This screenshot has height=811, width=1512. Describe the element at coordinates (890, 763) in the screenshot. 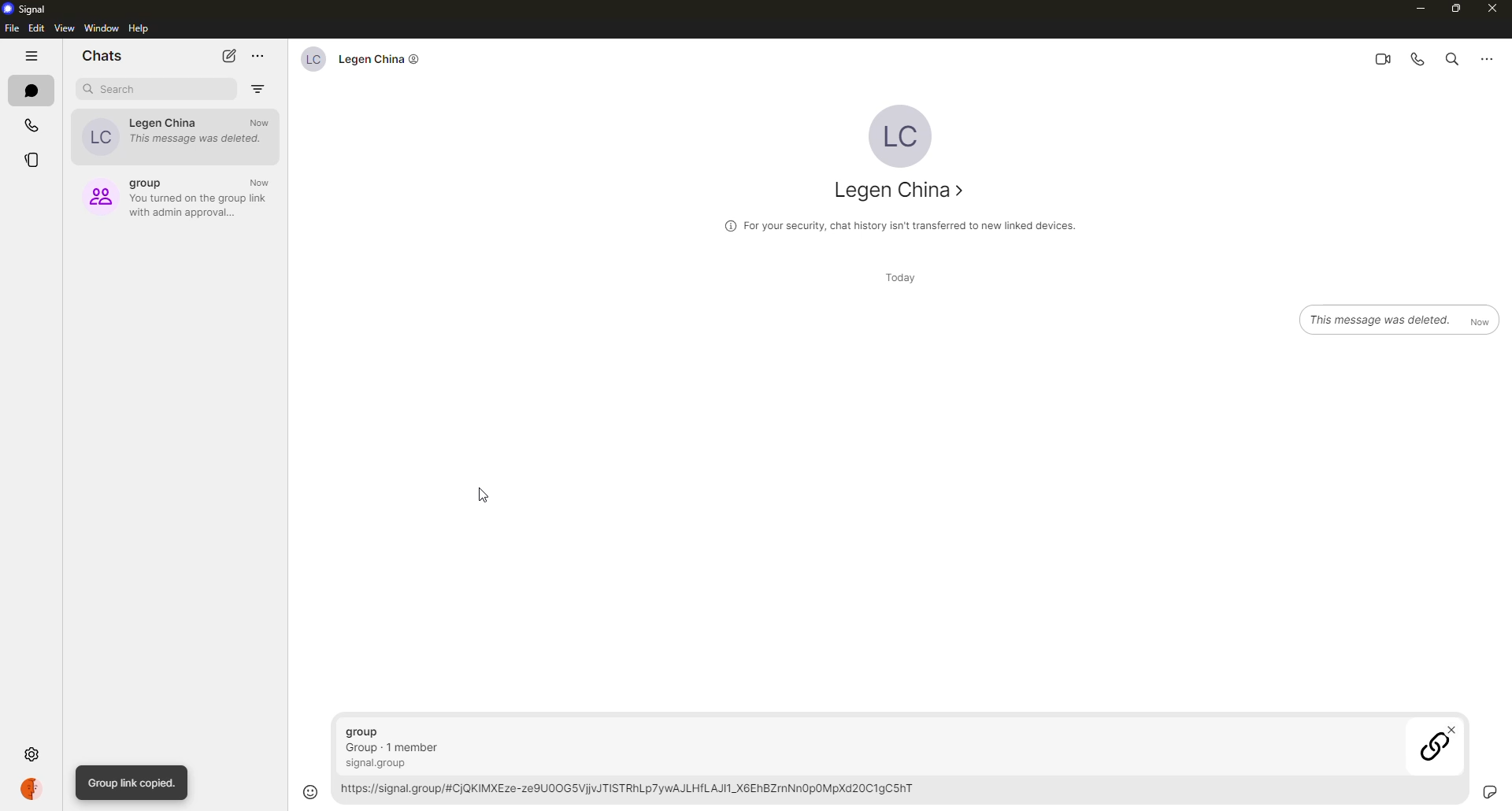

I see `link copied` at that location.